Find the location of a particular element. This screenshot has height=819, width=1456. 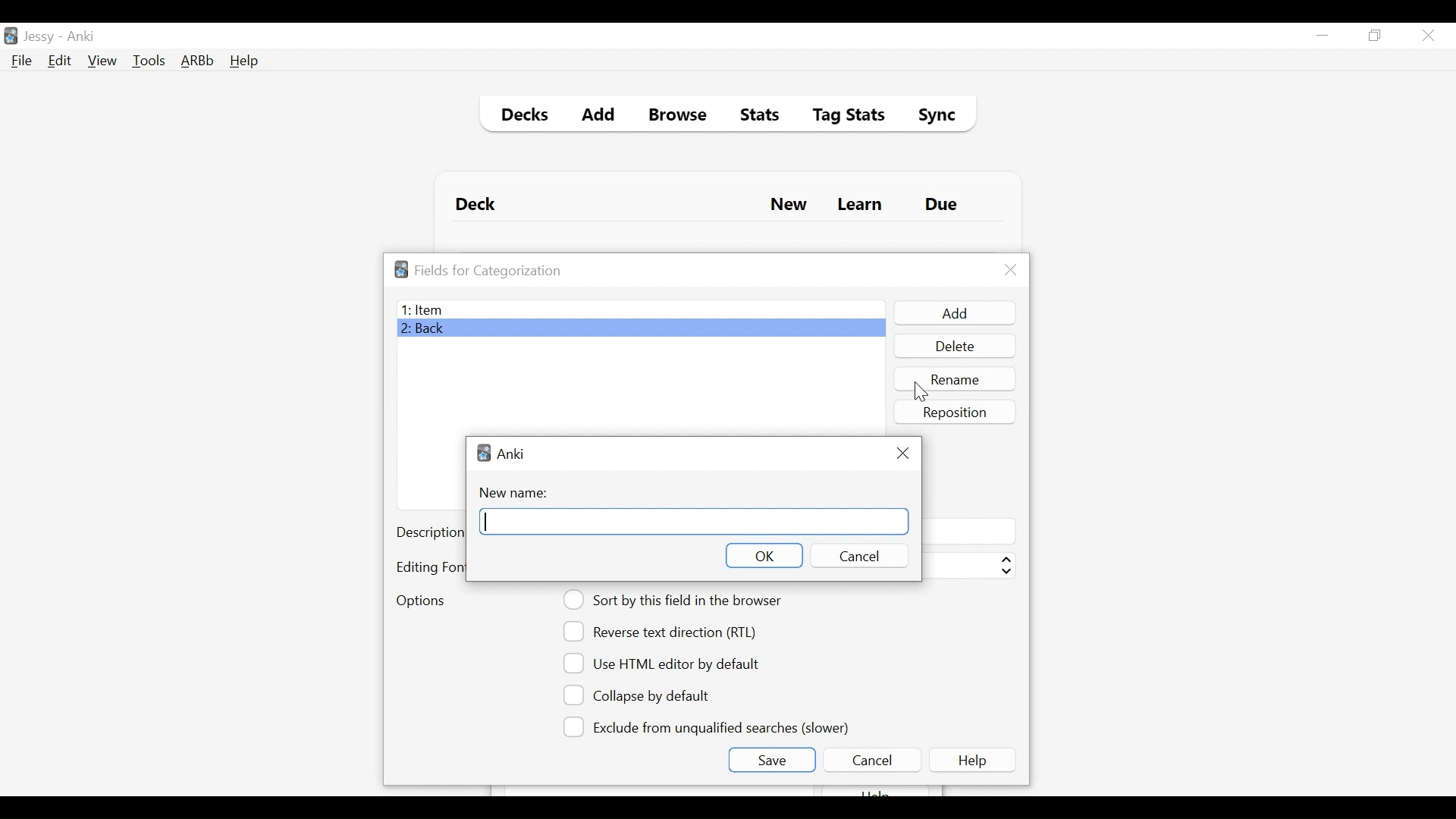

Cancel is located at coordinates (857, 556).